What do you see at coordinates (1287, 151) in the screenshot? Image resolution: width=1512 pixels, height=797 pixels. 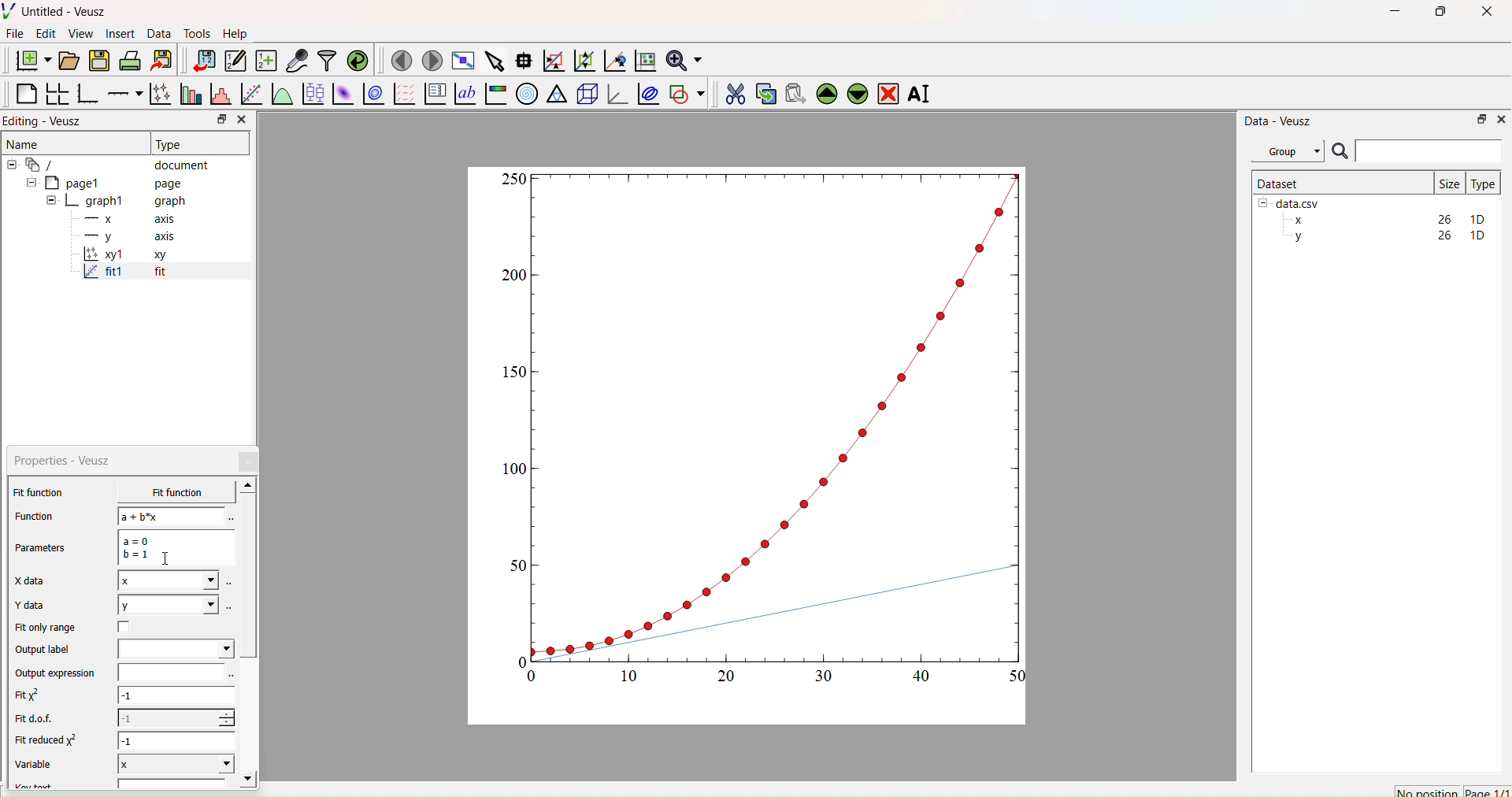 I see `Group ` at bounding box center [1287, 151].